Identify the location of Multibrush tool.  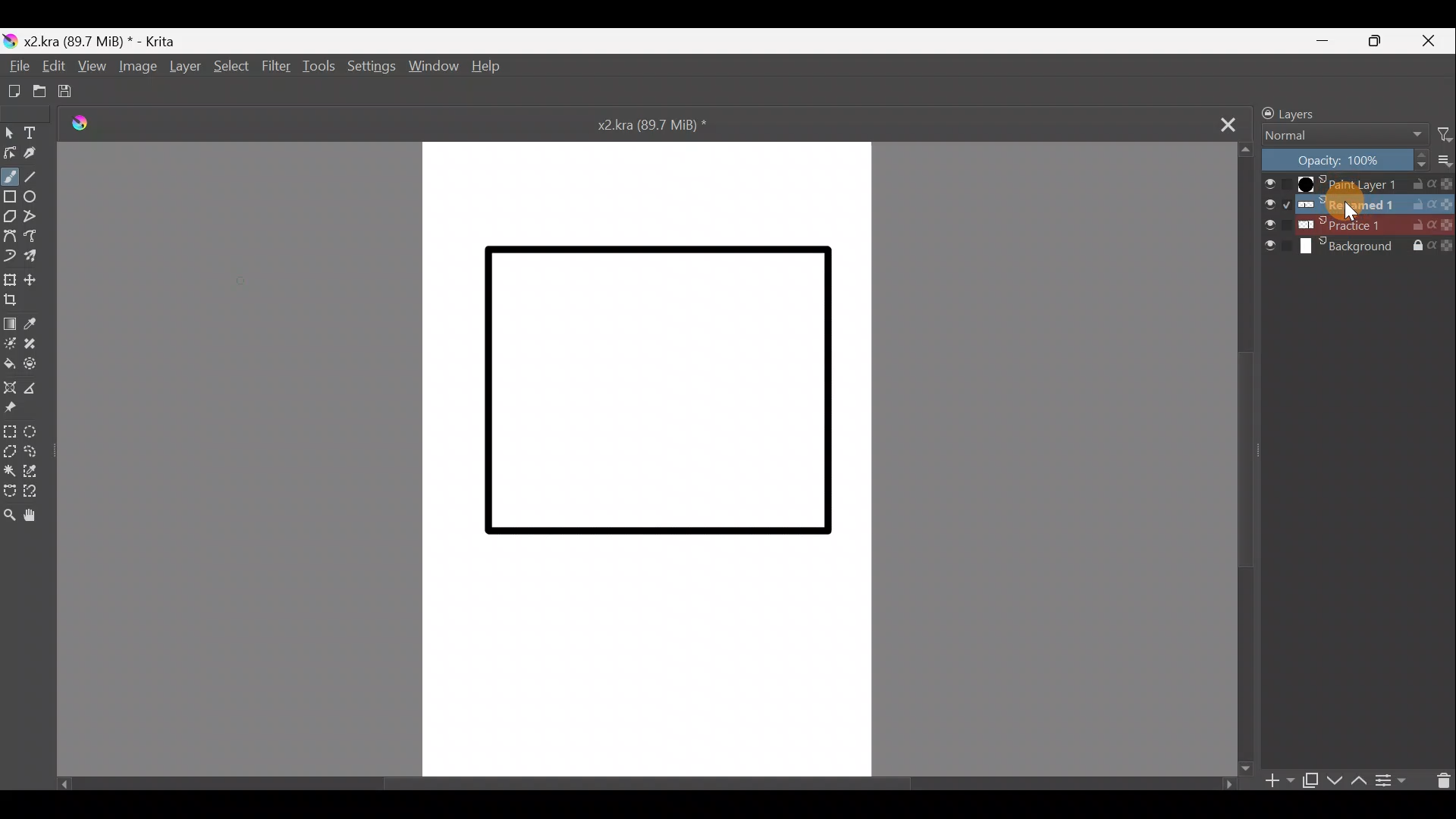
(36, 259).